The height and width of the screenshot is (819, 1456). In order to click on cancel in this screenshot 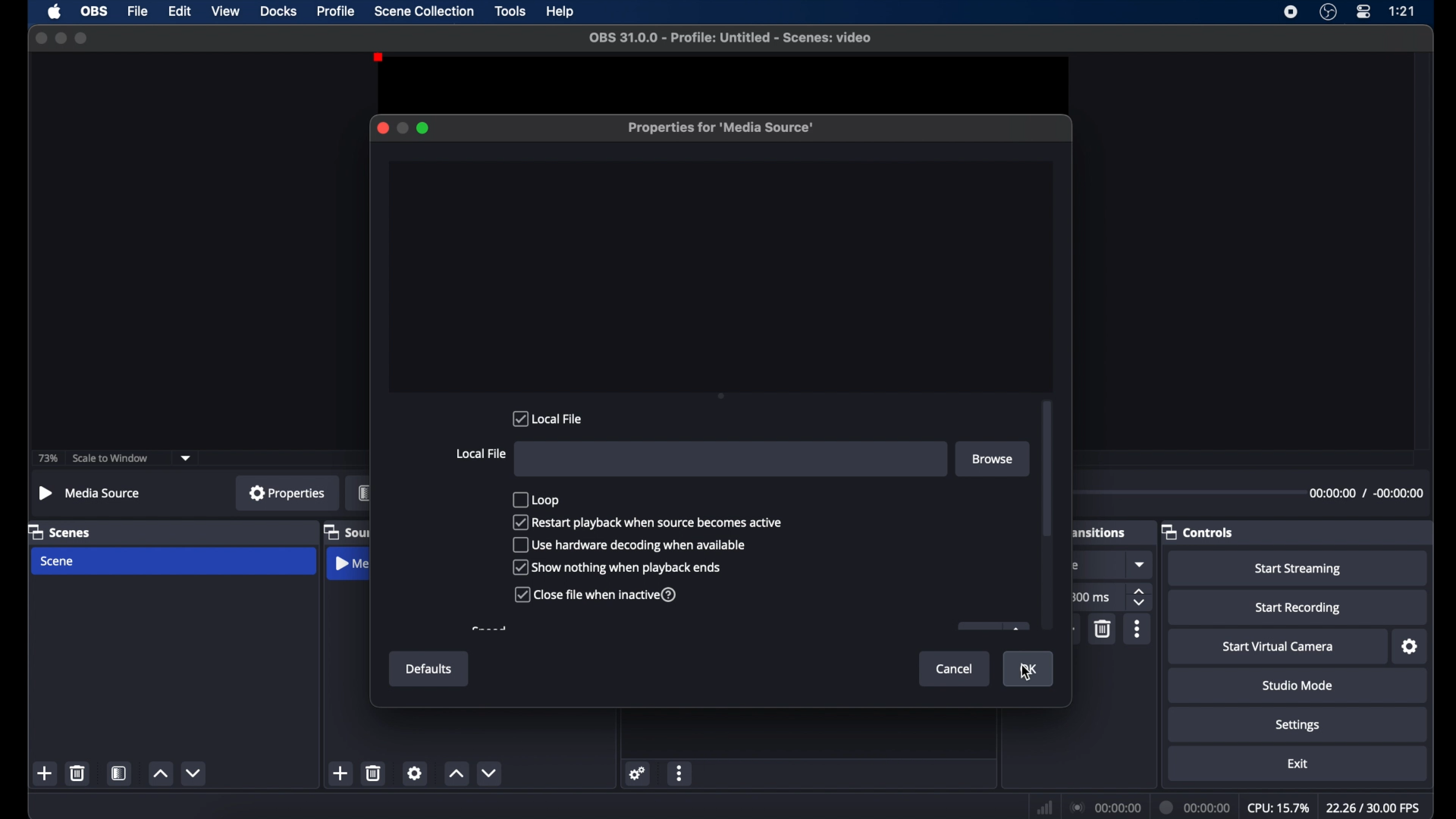, I will do `click(954, 670)`.